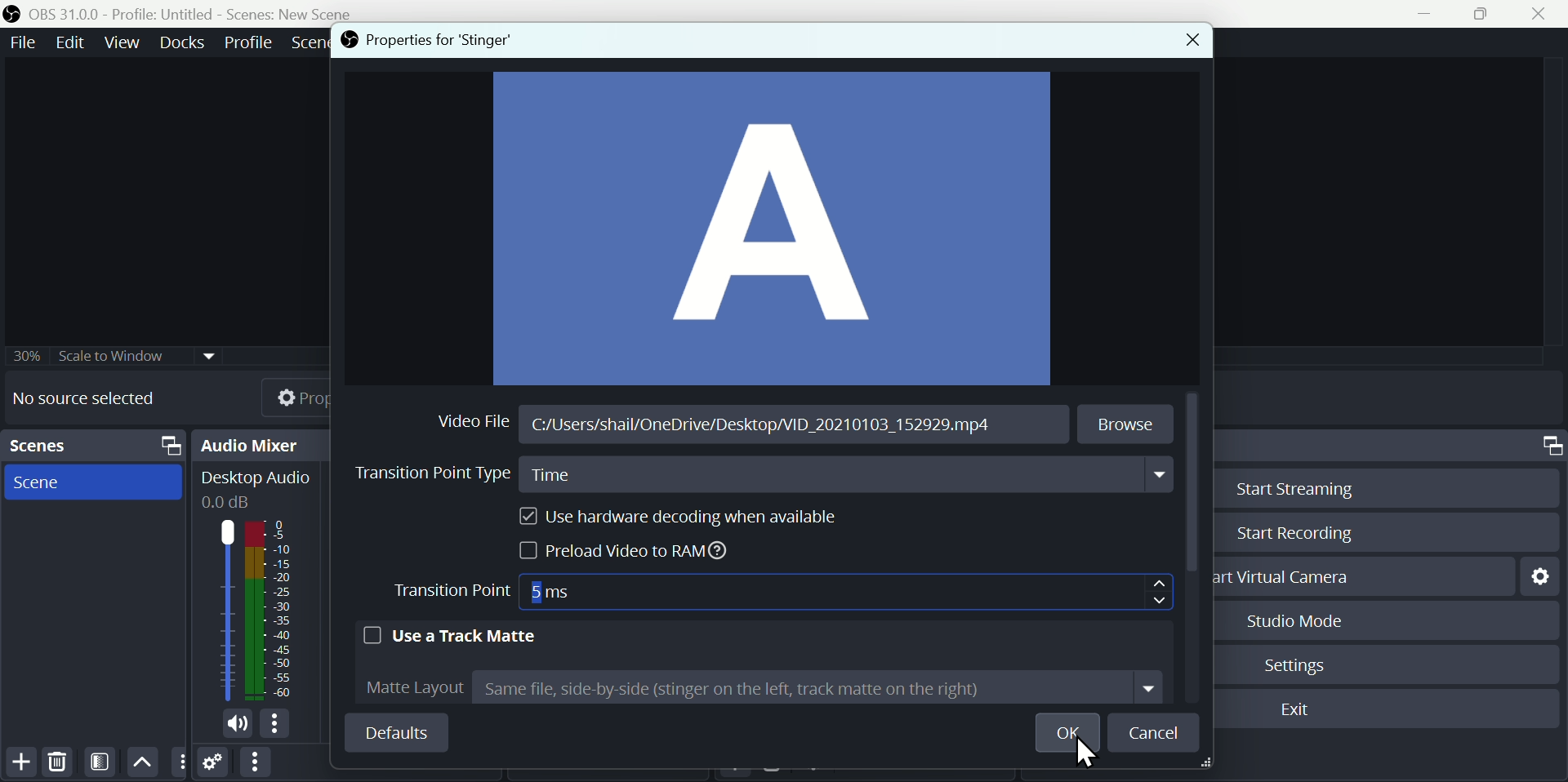  Describe the element at coordinates (278, 725) in the screenshot. I see `more options` at that location.